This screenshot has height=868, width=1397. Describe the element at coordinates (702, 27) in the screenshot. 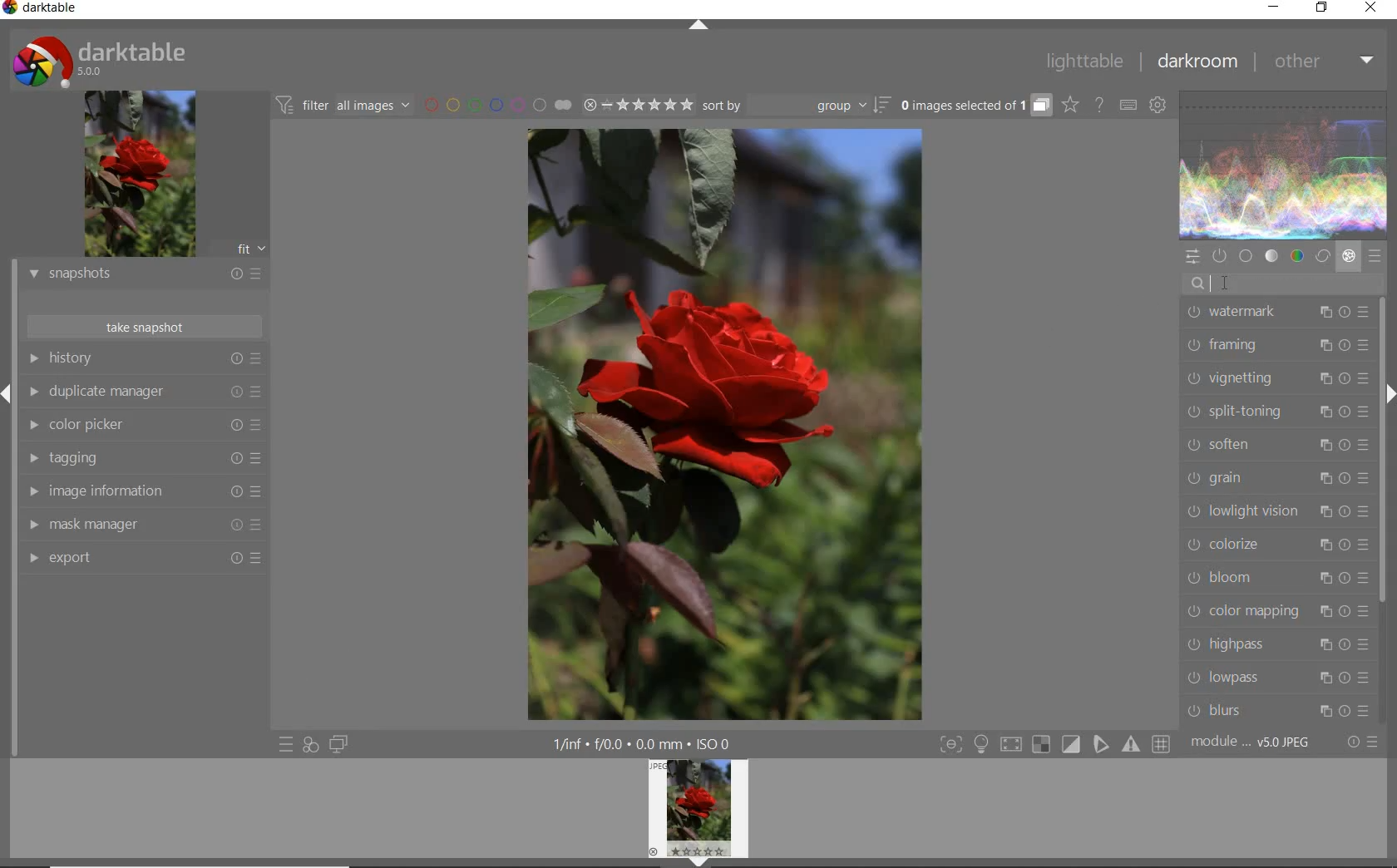

I see `expand/collapse` at that location.